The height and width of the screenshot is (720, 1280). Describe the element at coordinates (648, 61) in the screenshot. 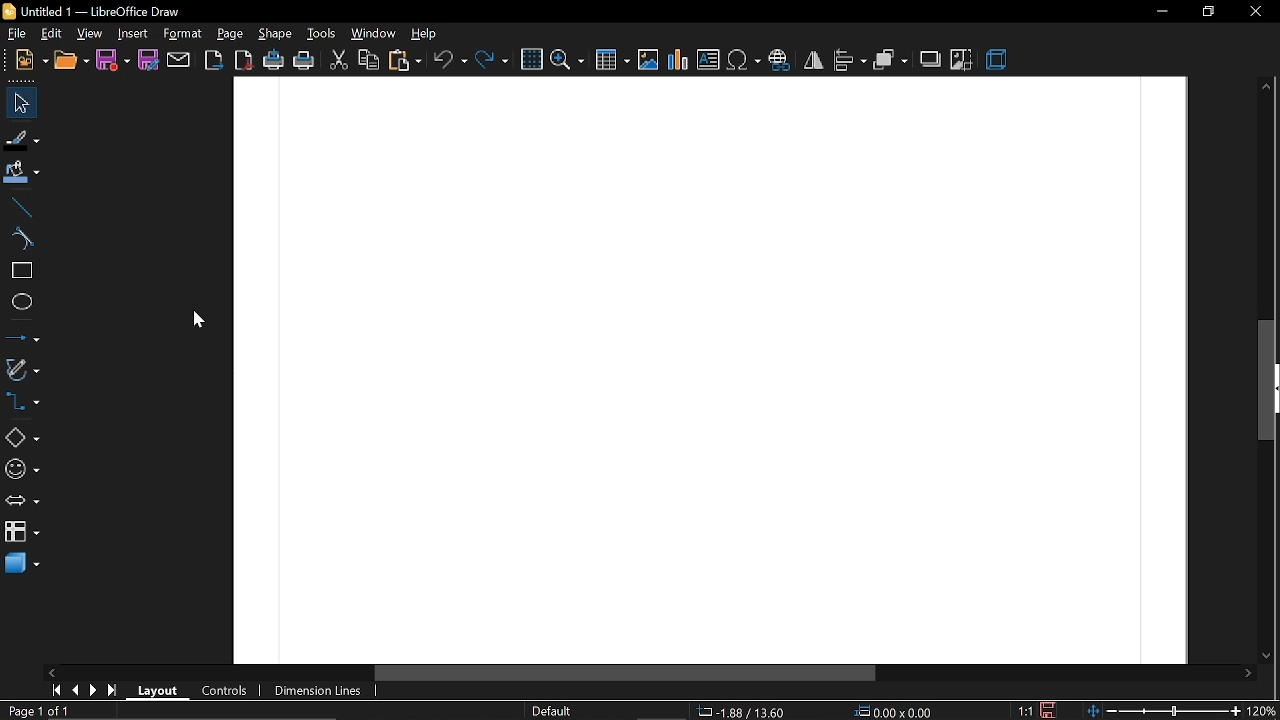

I see `insert image` at that location.